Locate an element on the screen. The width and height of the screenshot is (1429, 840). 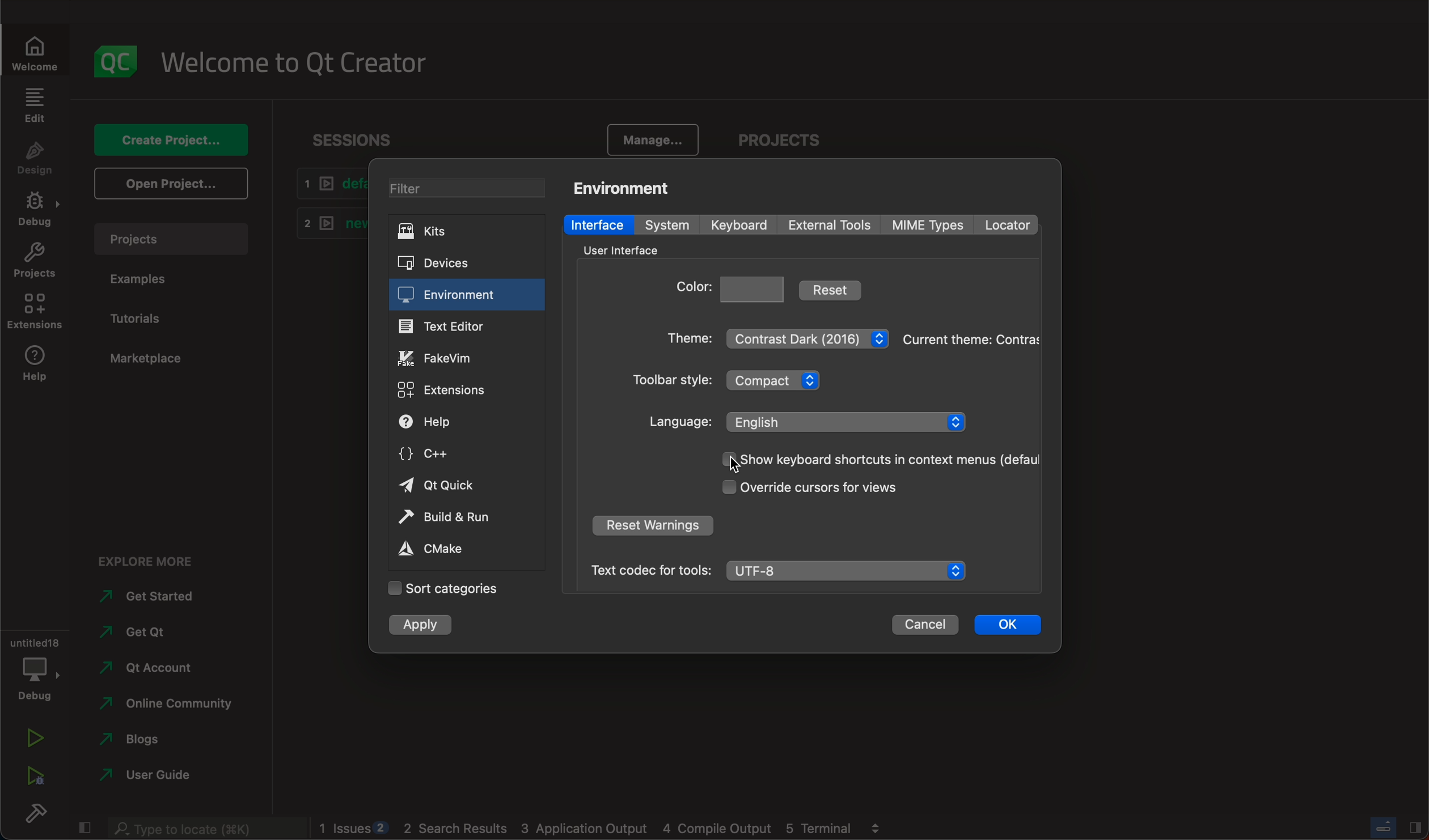
manage is located at coordinates (643, 137).